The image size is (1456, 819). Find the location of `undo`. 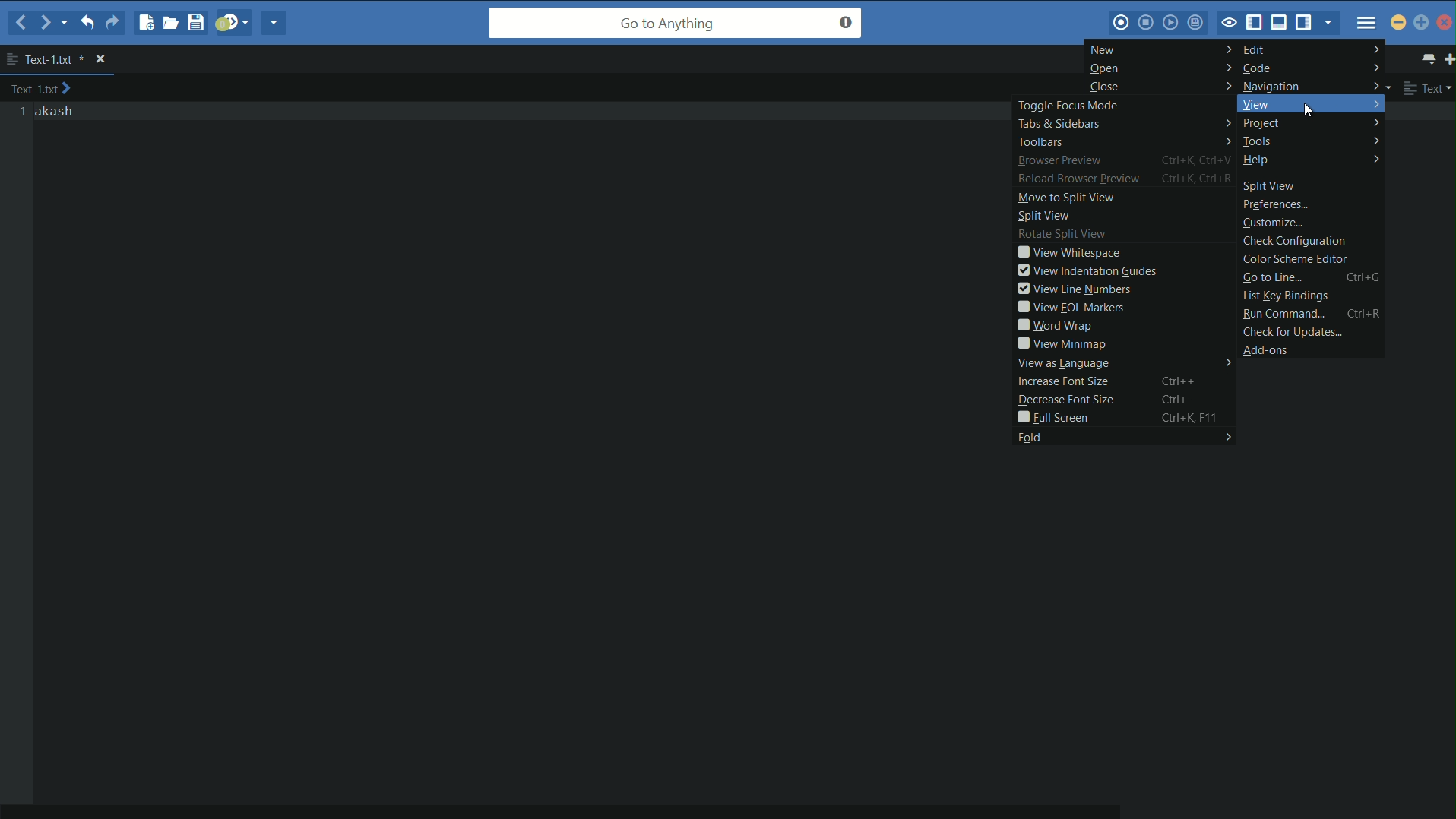

undo is located at coordinates (86, 21).